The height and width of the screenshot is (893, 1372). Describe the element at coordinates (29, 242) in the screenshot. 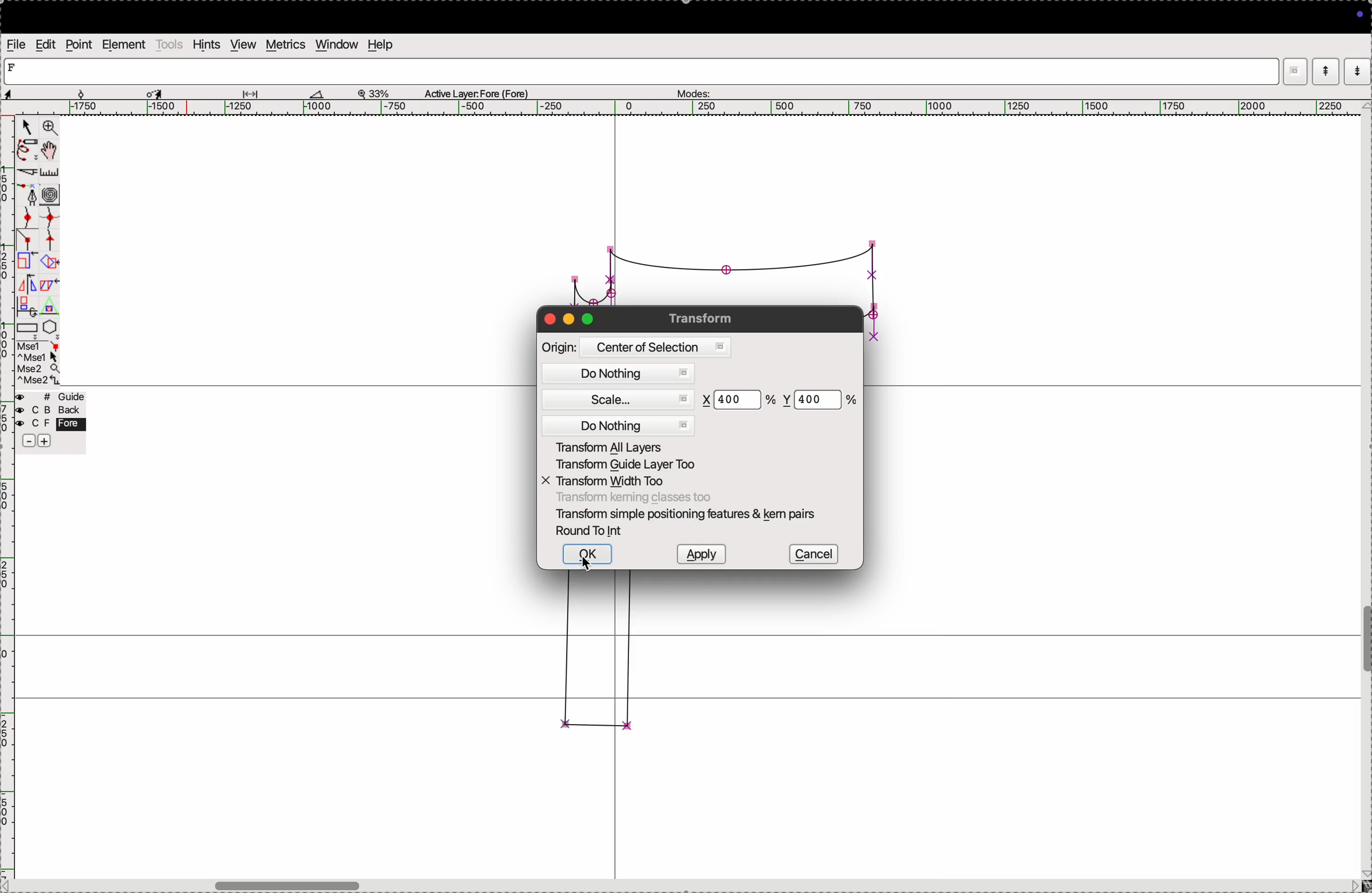

I see `line` at that location.